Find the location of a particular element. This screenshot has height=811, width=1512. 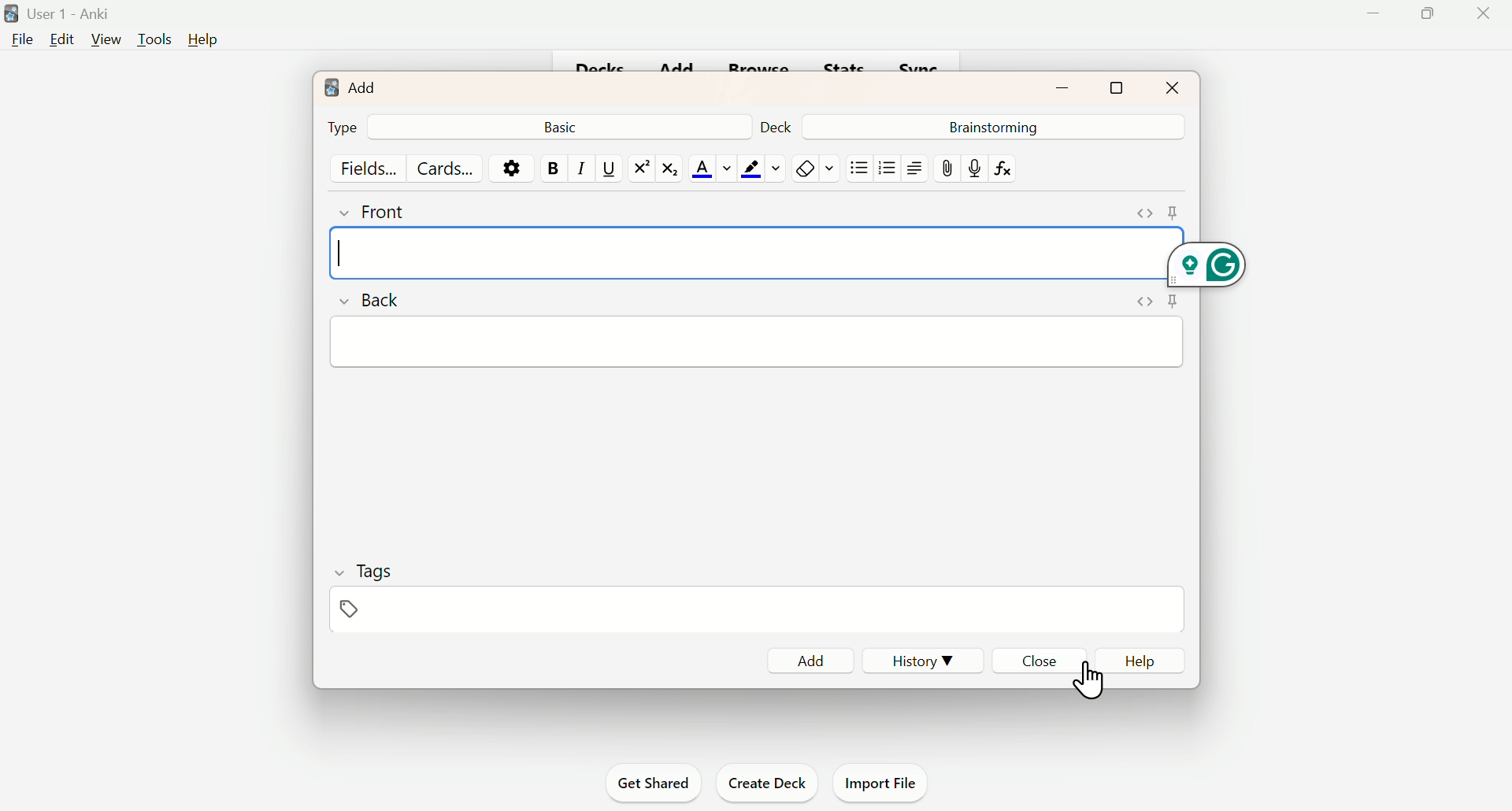

Pins is located at coordinates (1158, 213).